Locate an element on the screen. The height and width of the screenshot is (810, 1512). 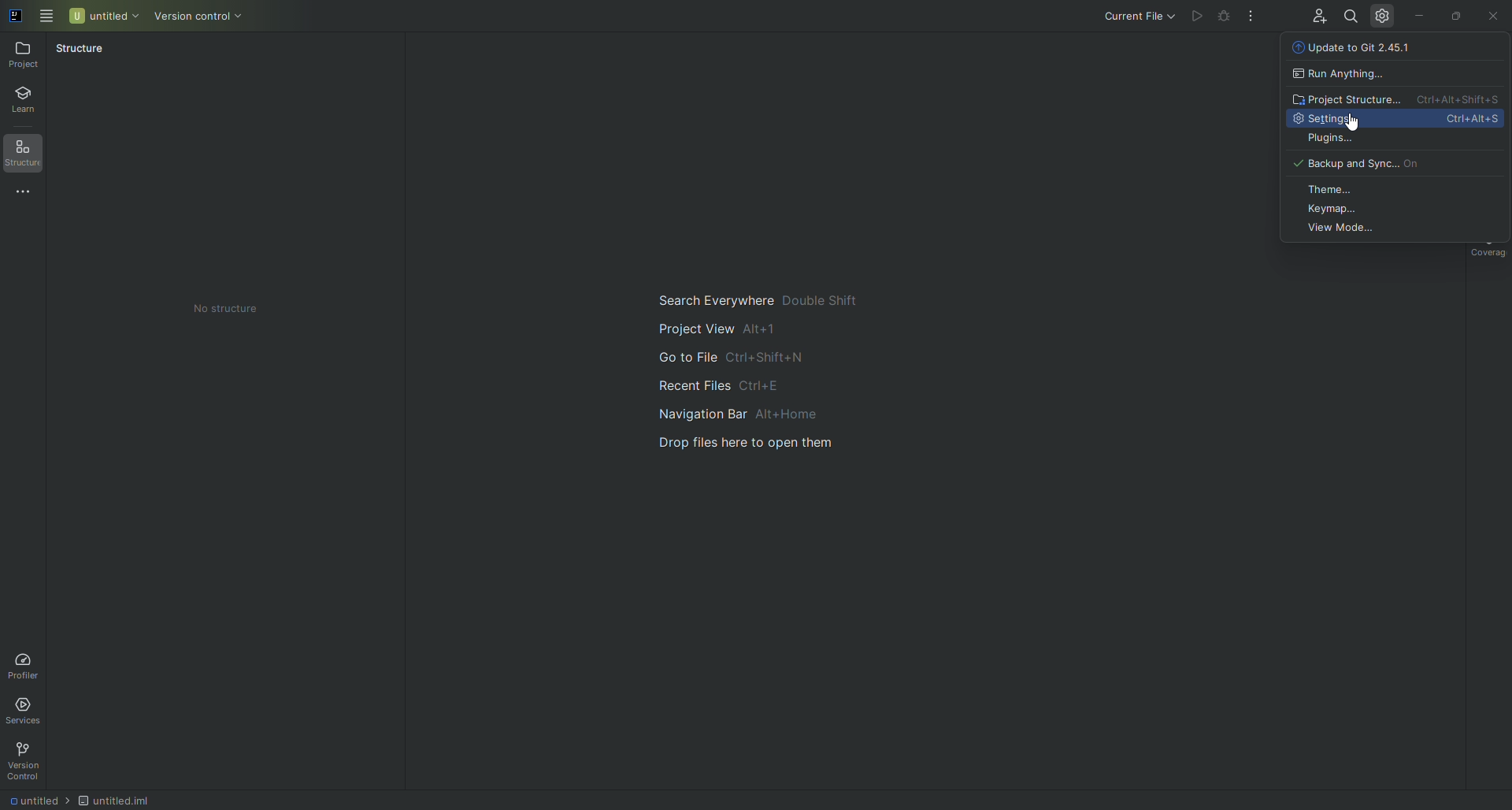
Theme is located at coordinates (1398, 189).